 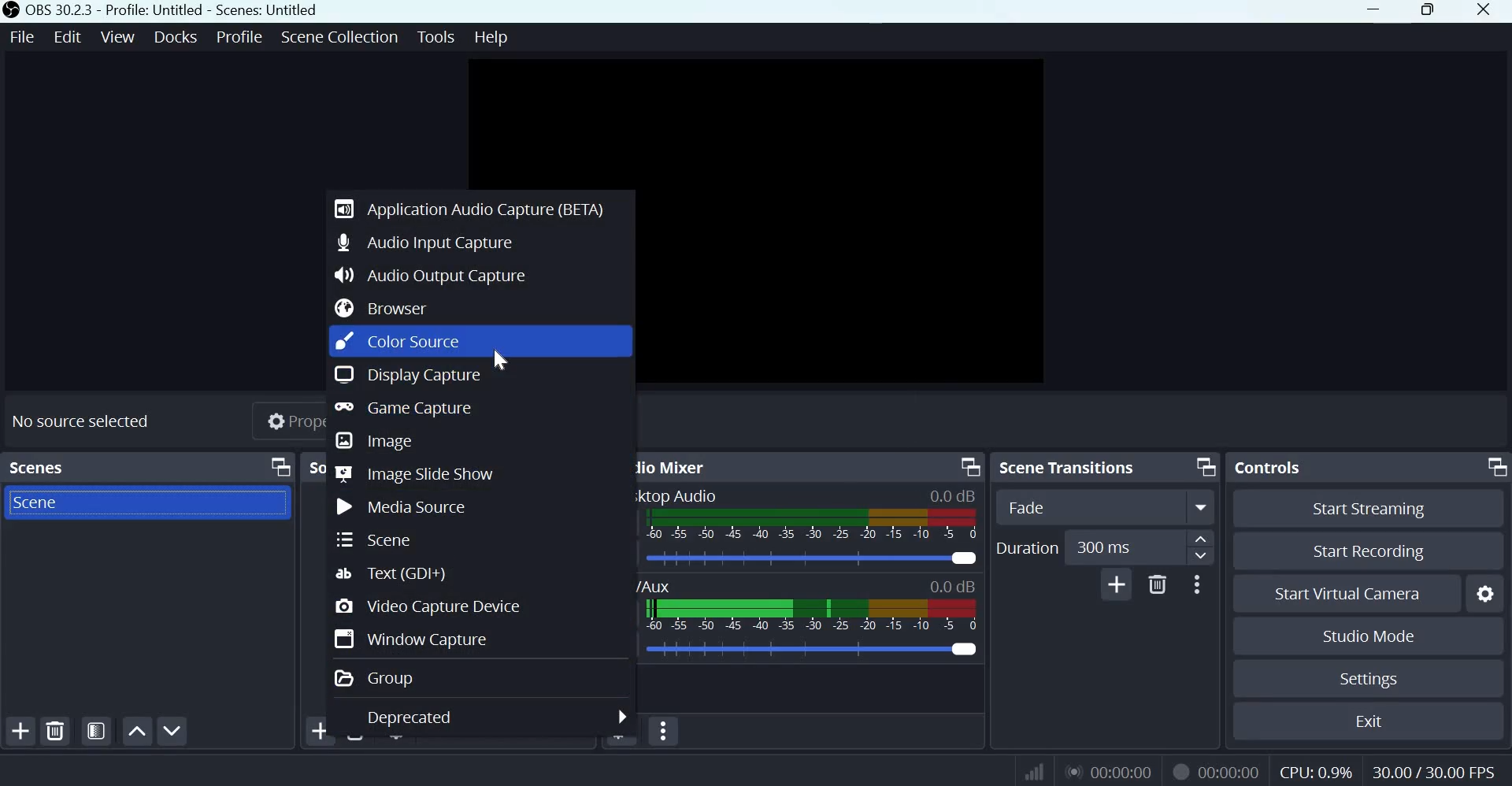 I want to click on Dock Options icon, so click(x=276, y=468).